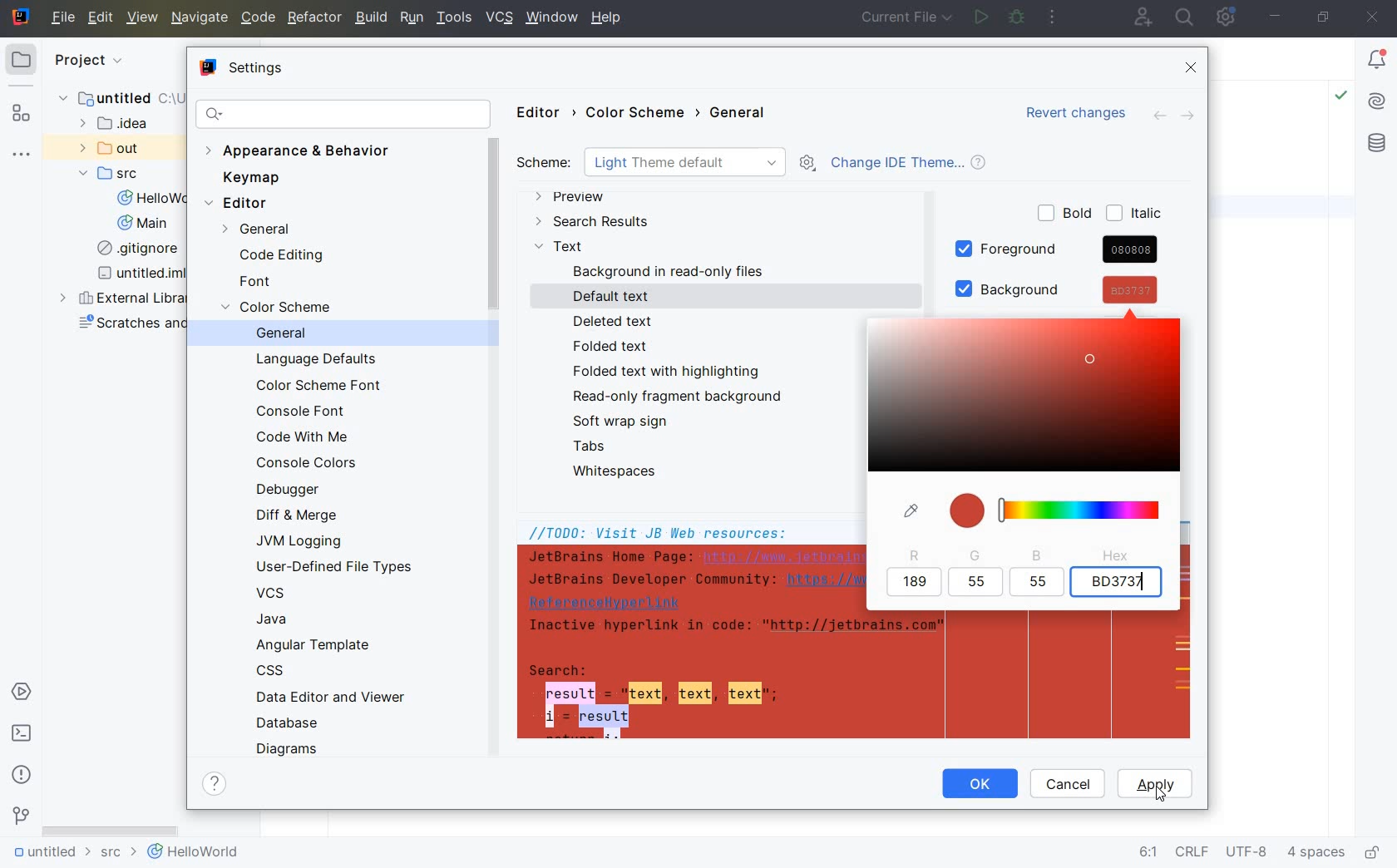  Describe the element at coordinates (22, 774) in the screenshot. I see `problems` at that location.